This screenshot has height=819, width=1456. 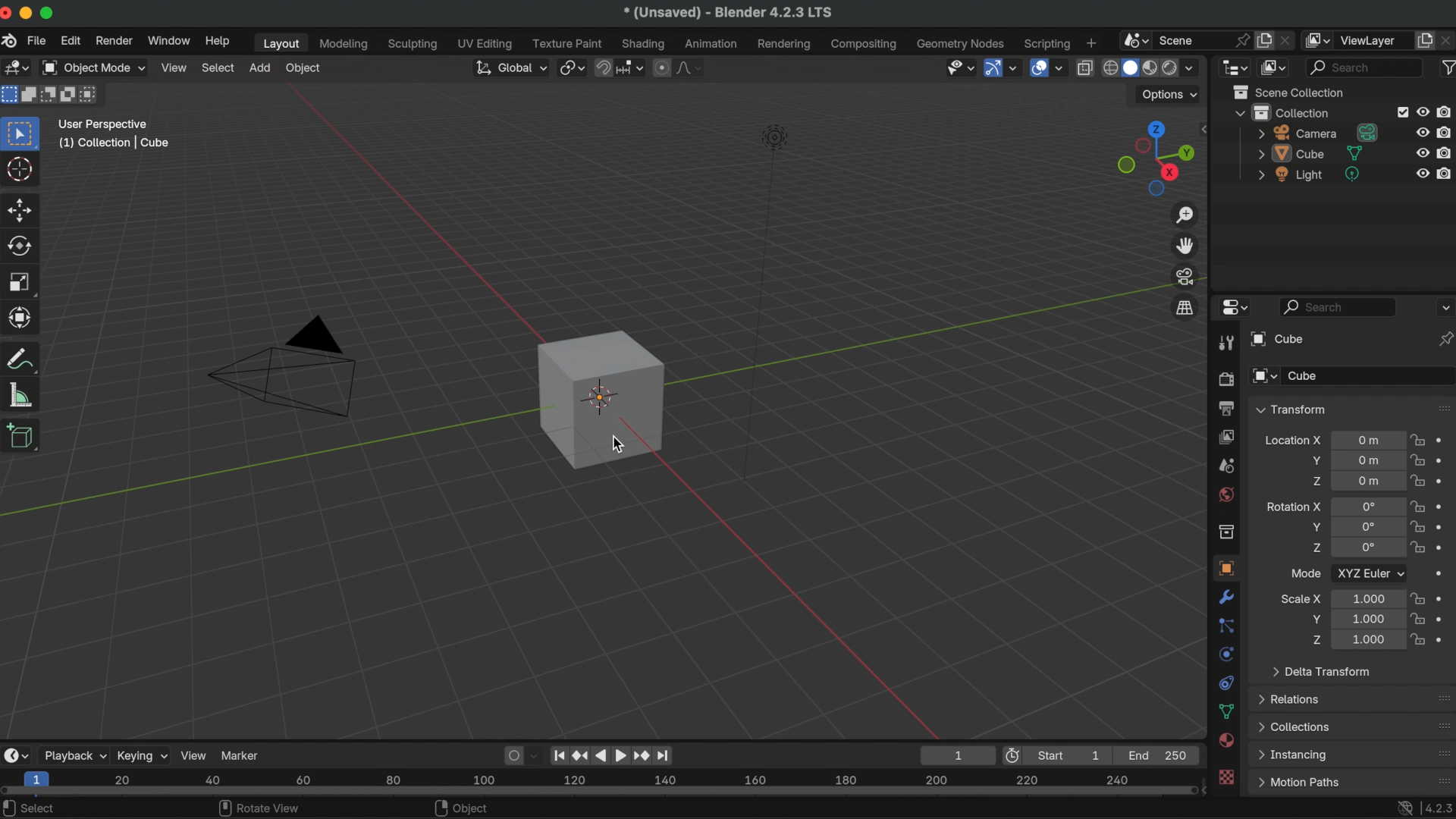 What do you see at coordinates (22, 438) in the screenshot?
I see `add cube` at bounding box center [22, 438].